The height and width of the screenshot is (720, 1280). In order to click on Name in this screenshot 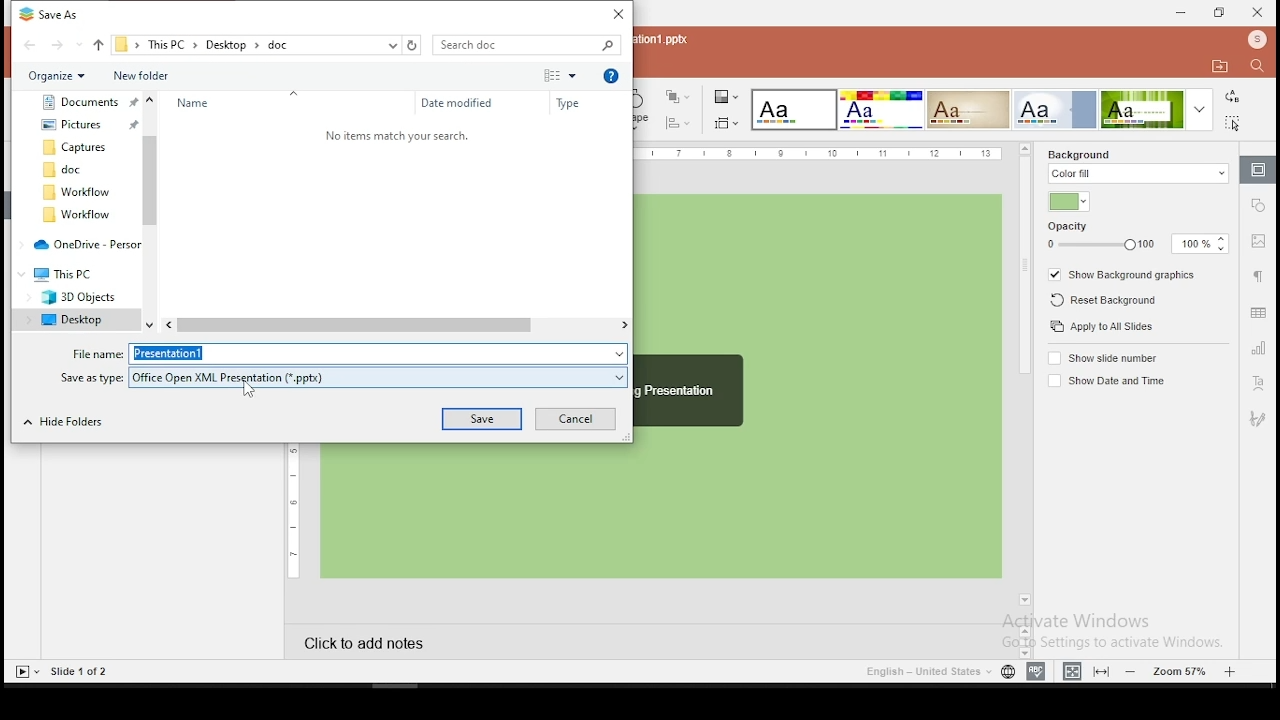, I will do `click(202, 102)`.